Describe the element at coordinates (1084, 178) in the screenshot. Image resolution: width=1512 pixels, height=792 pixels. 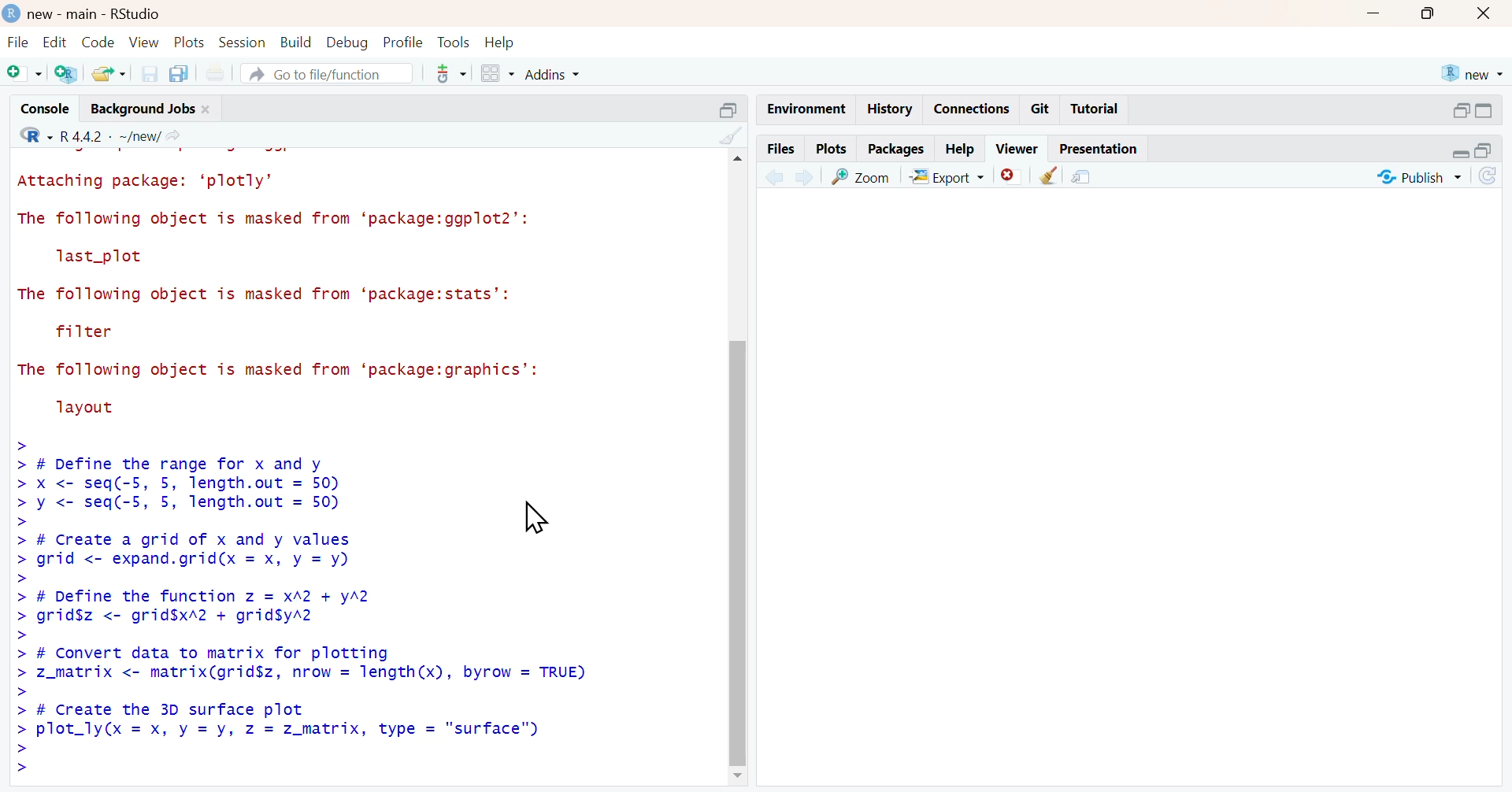
I see `show in new window` at that location.